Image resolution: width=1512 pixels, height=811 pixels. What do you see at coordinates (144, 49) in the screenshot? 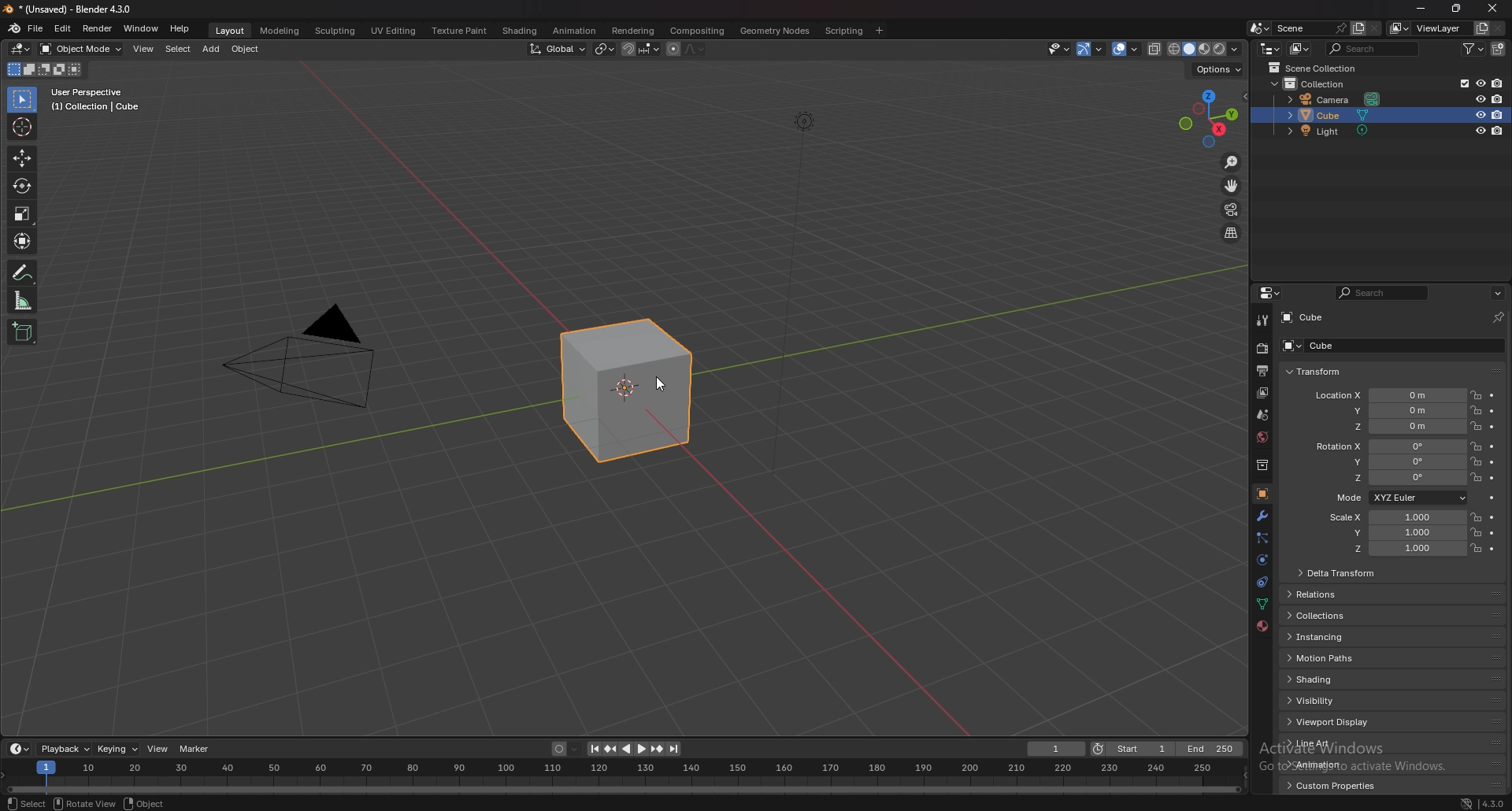
I see `view` at bounding box center [144, 49].